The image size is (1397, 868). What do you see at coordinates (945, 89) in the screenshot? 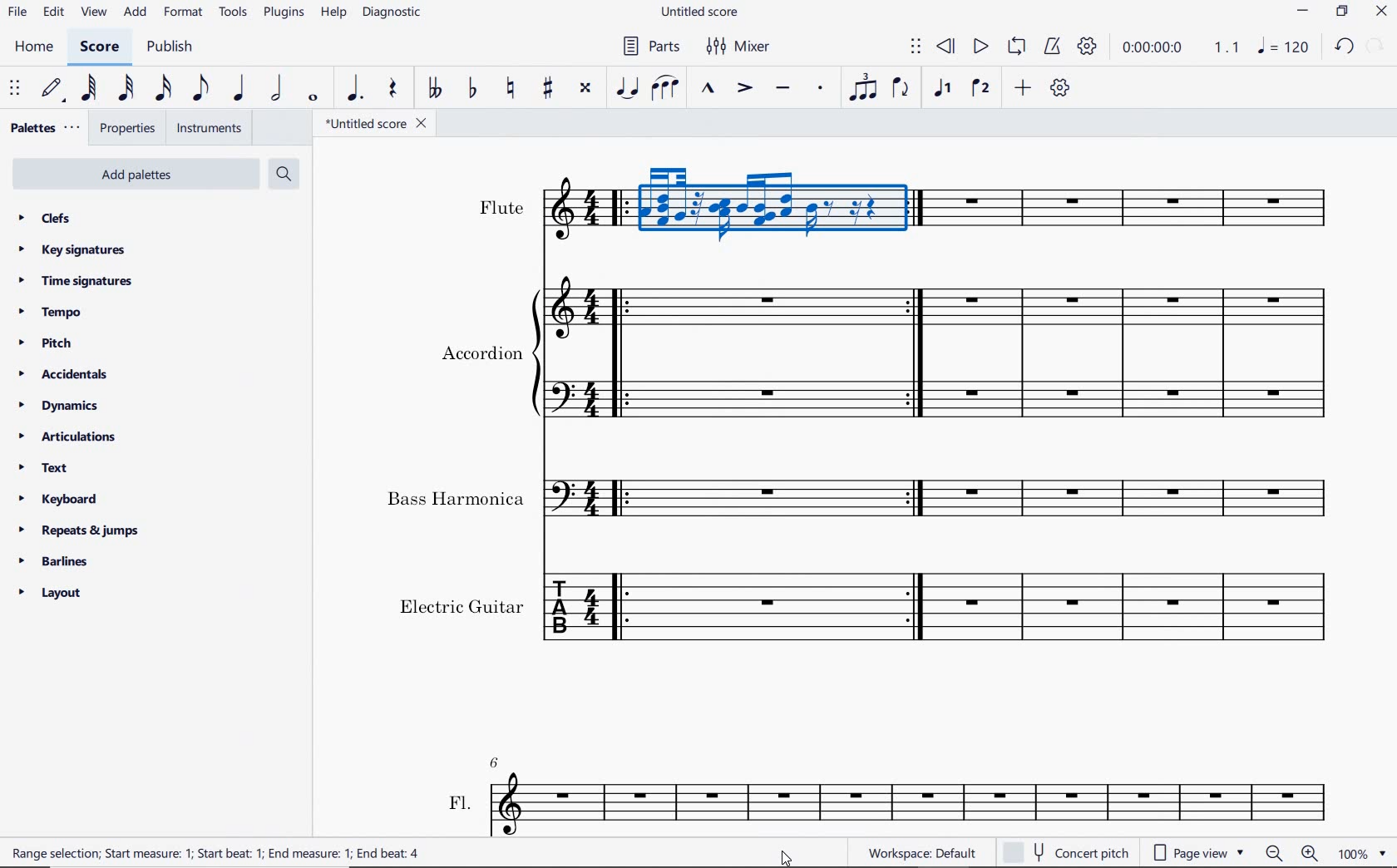
I see `voice1` at bounding box center [945, 89].